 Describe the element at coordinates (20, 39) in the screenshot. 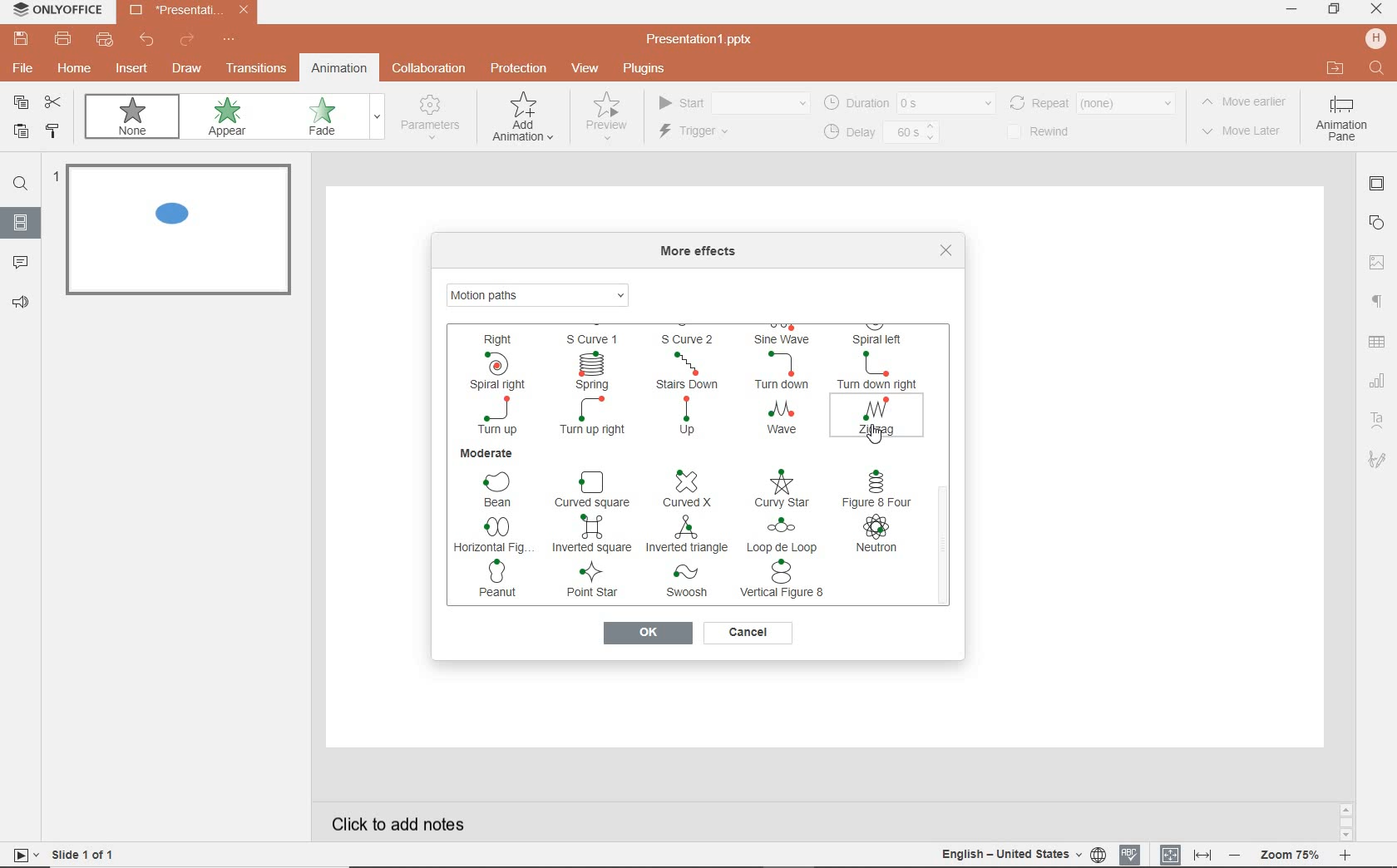

I see `save` at that location.